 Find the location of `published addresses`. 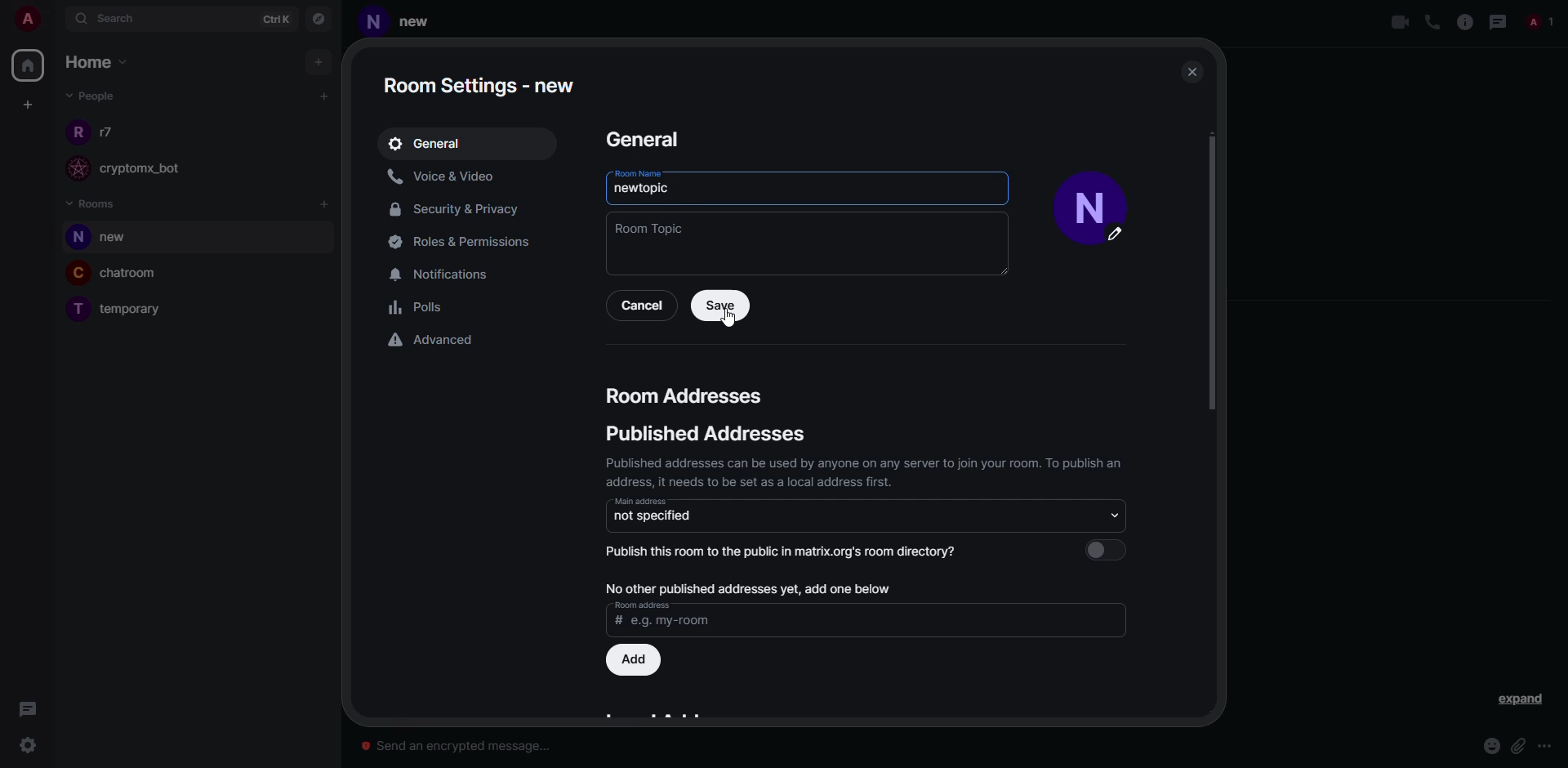

published addresses is located at coordinates (702, 435).